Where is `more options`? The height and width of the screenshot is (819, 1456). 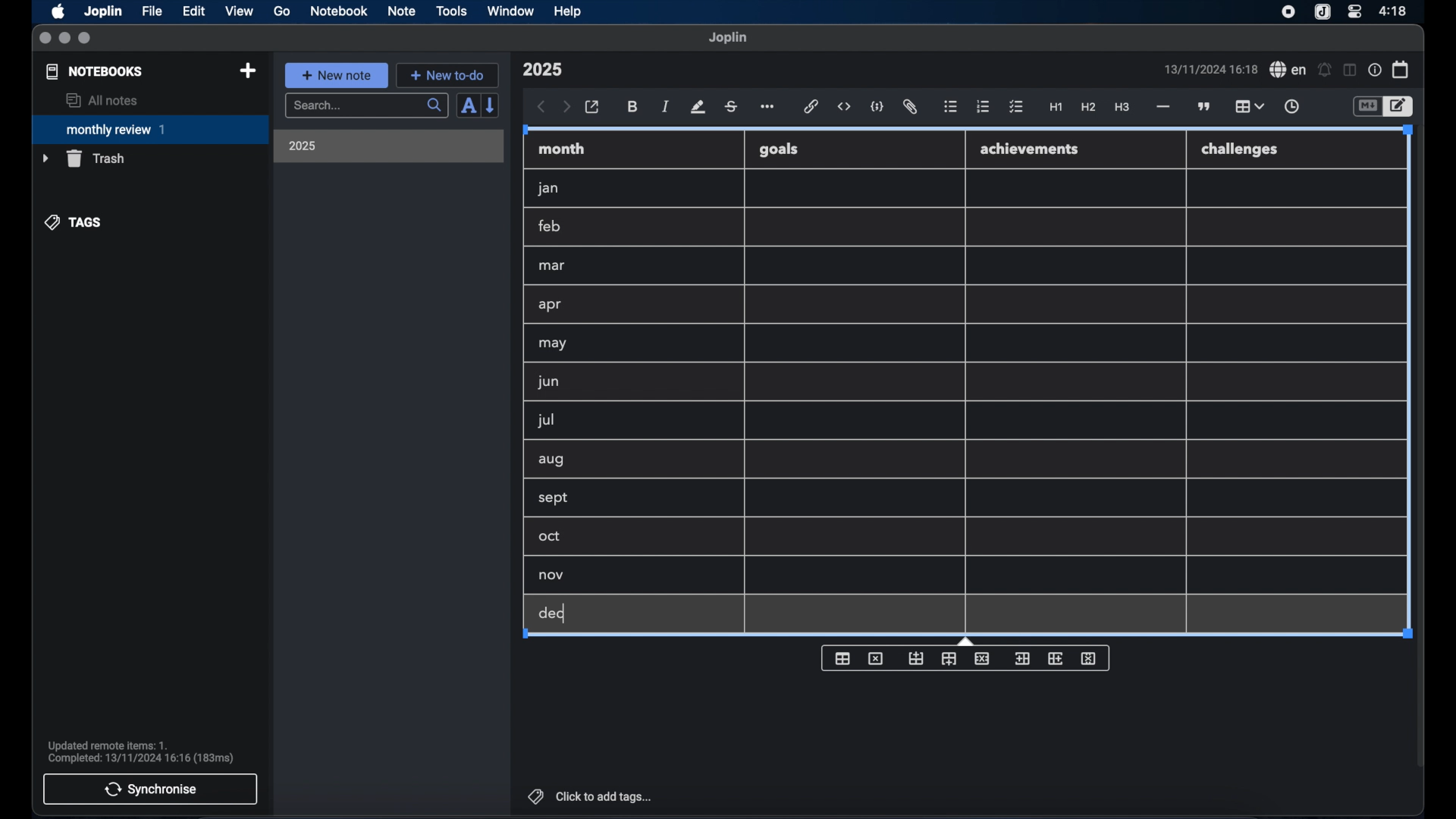
more options is located at coordinates (769, 108).